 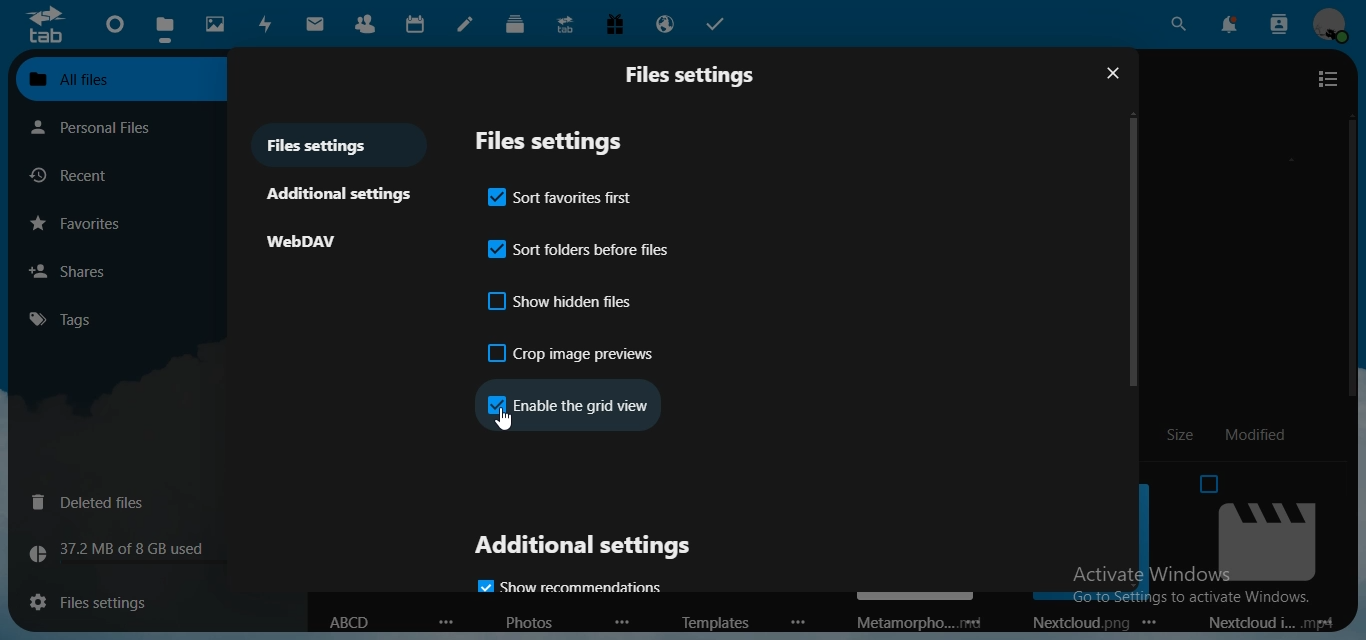 What do you see at coordinates (1242, 527) in the screenshot?
I see `image` at bounding box center [1242, 527].